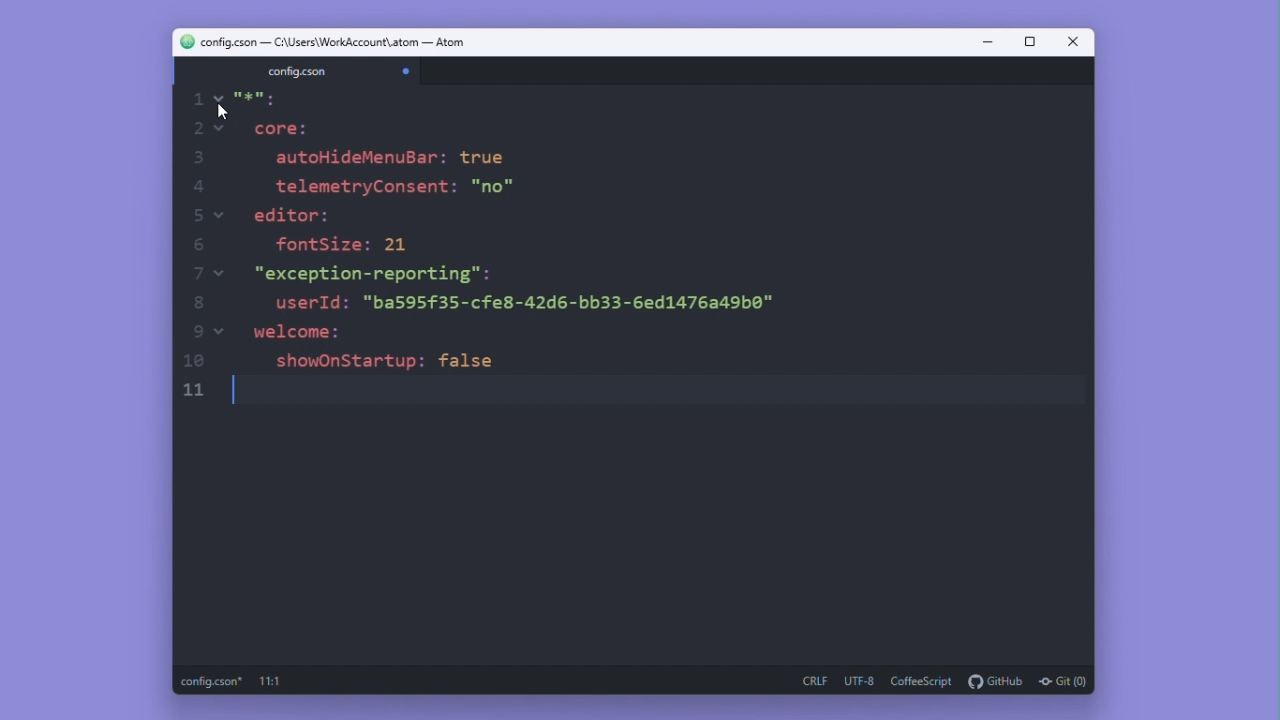 The width and height of the screenshot is (1280, 720). I want to click on Ld
core:
autoHideMenuBar: true
telemetryConsent: "no"
editor:
fontsize: 21
"exception-reporting":
userId: "ba595f35-cfe8-42d6-bb33-6ed1476a49b0"
welcome:
| showOnStartup: false, so click(502, 249).